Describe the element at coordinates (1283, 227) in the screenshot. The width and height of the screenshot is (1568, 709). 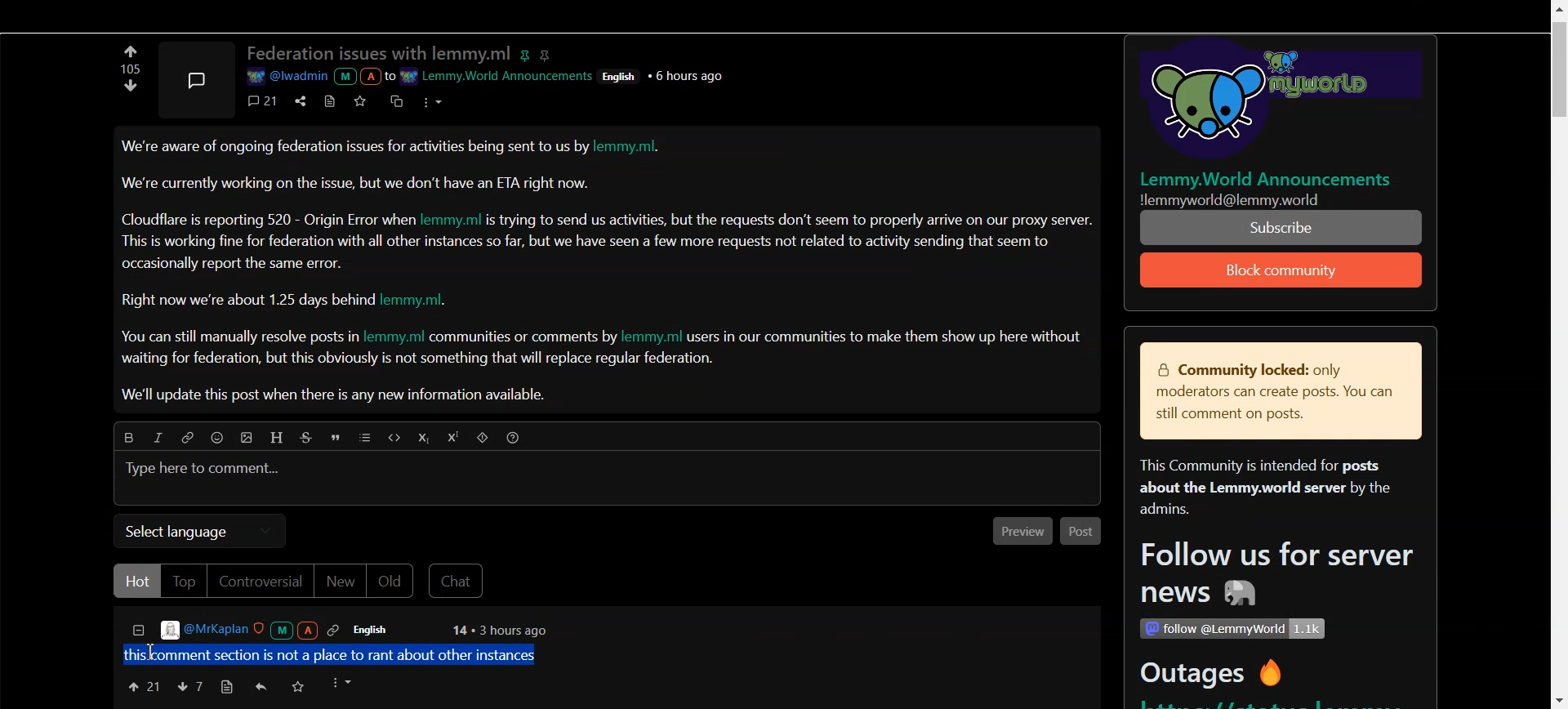
I see `properly arrive on our proxy server.
PE TEI SON TE WT` at that location.